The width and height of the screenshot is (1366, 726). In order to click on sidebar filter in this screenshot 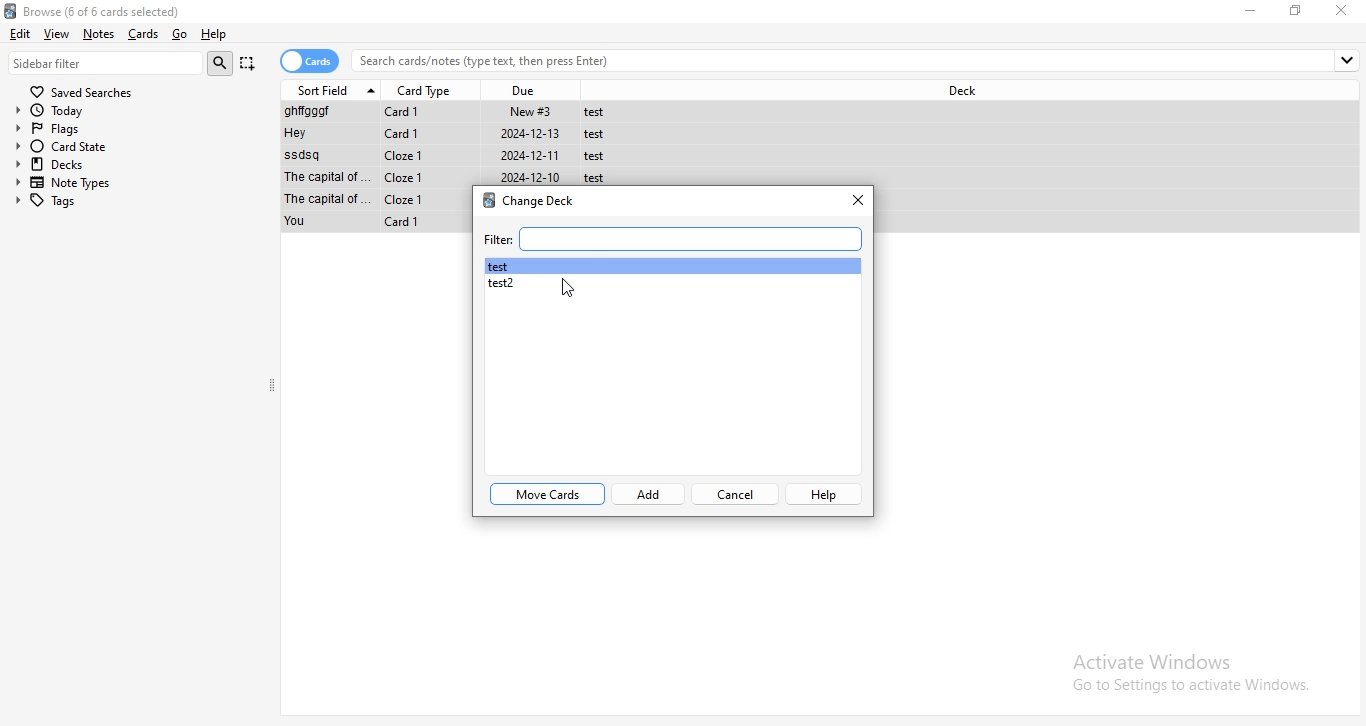, I will do `click(106, 63)`.